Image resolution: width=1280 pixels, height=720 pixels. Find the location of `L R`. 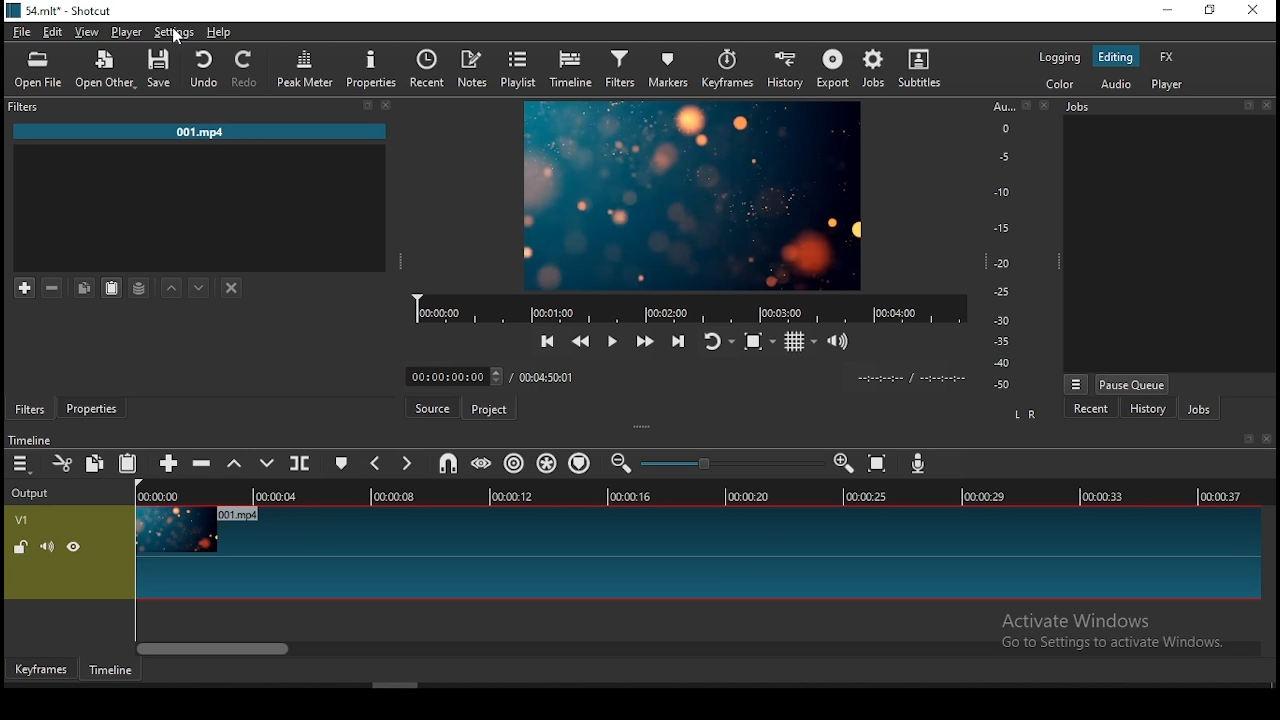

L R is located at coordinates (1027, 415).